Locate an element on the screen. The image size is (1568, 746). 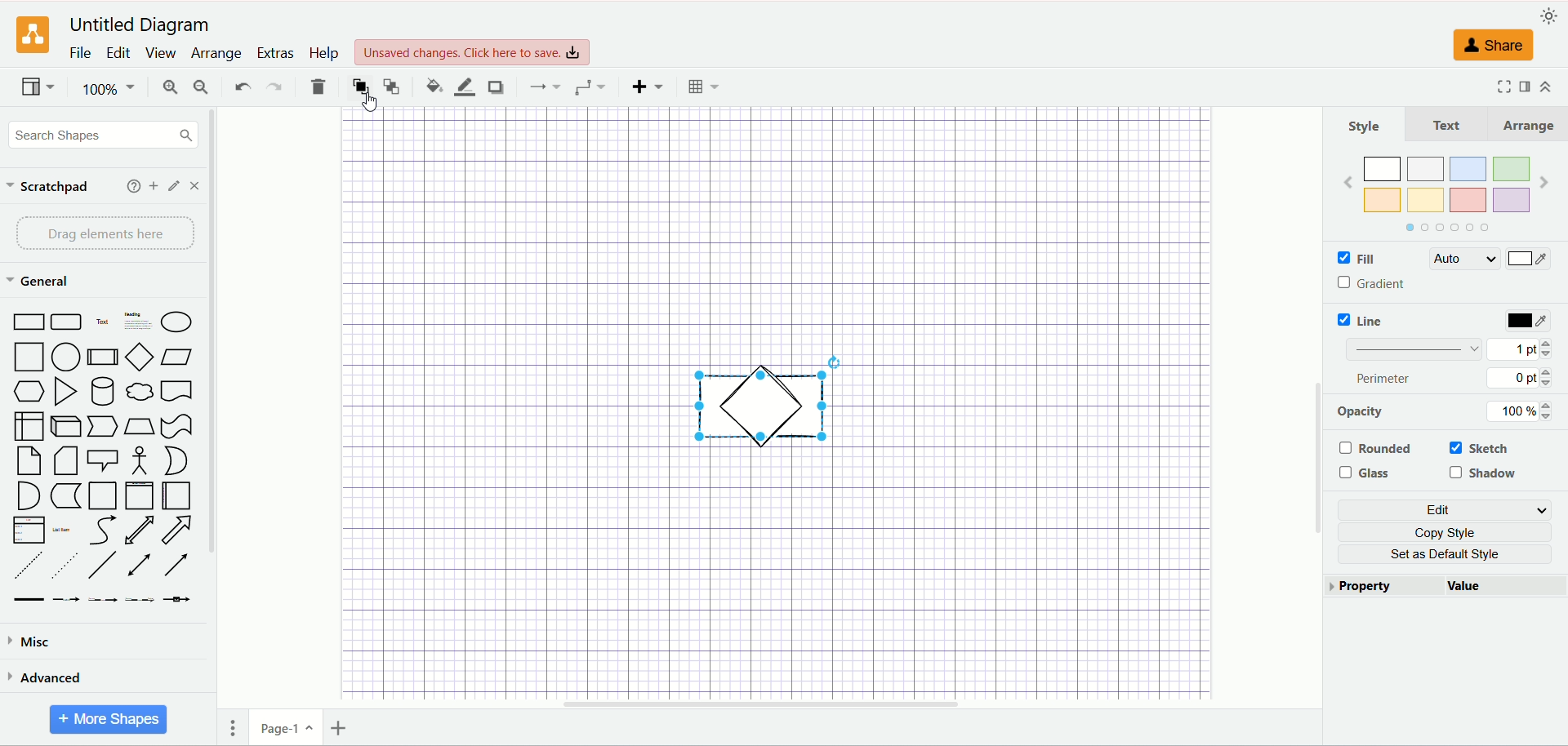
Arrange is located at coordinates (1523, 125).